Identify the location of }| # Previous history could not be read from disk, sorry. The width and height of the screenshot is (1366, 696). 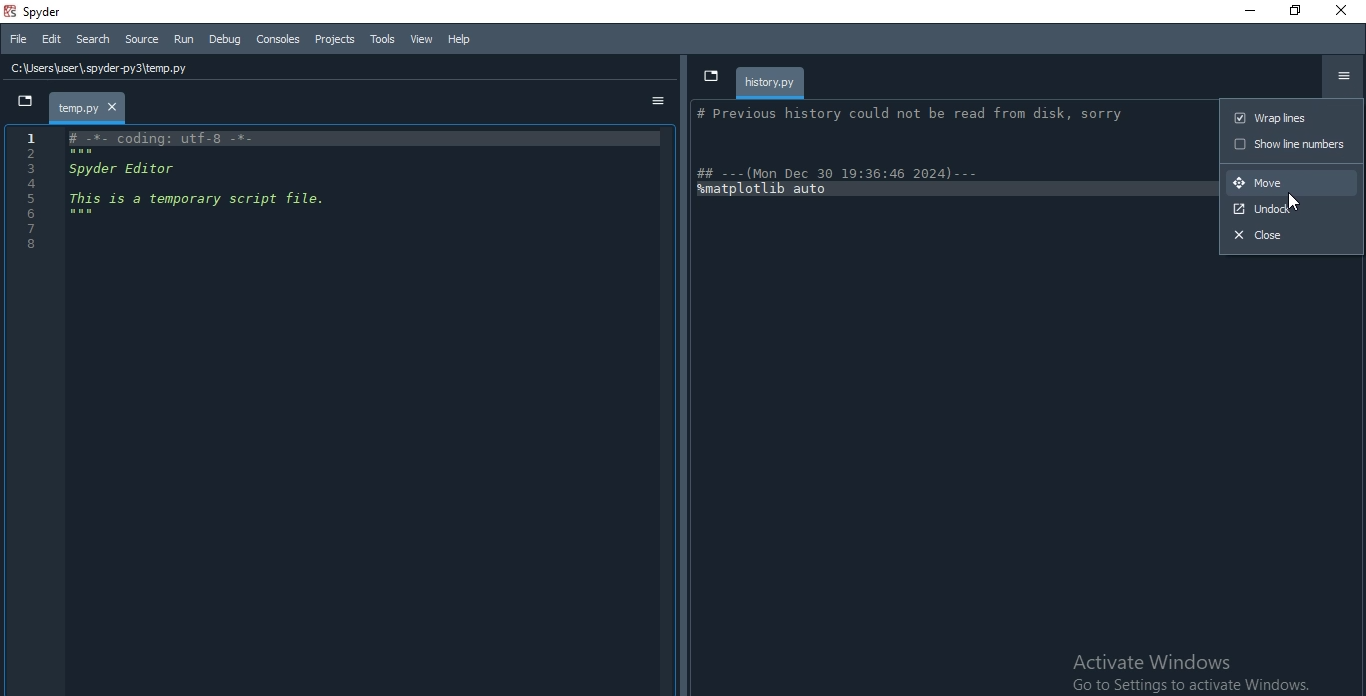
(917, 116).